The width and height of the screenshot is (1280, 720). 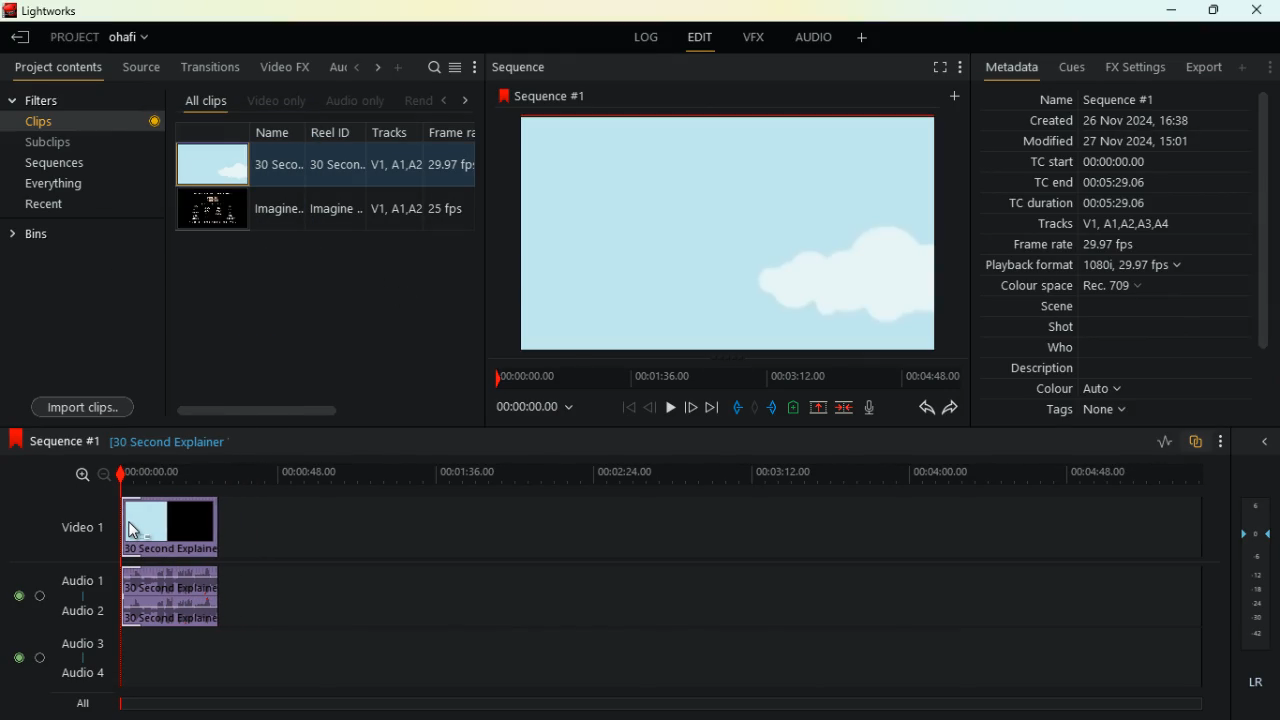 What do you see at coordinates (951, 410) in the screenshot?
I see `forward` at bounding box center [951, 410].